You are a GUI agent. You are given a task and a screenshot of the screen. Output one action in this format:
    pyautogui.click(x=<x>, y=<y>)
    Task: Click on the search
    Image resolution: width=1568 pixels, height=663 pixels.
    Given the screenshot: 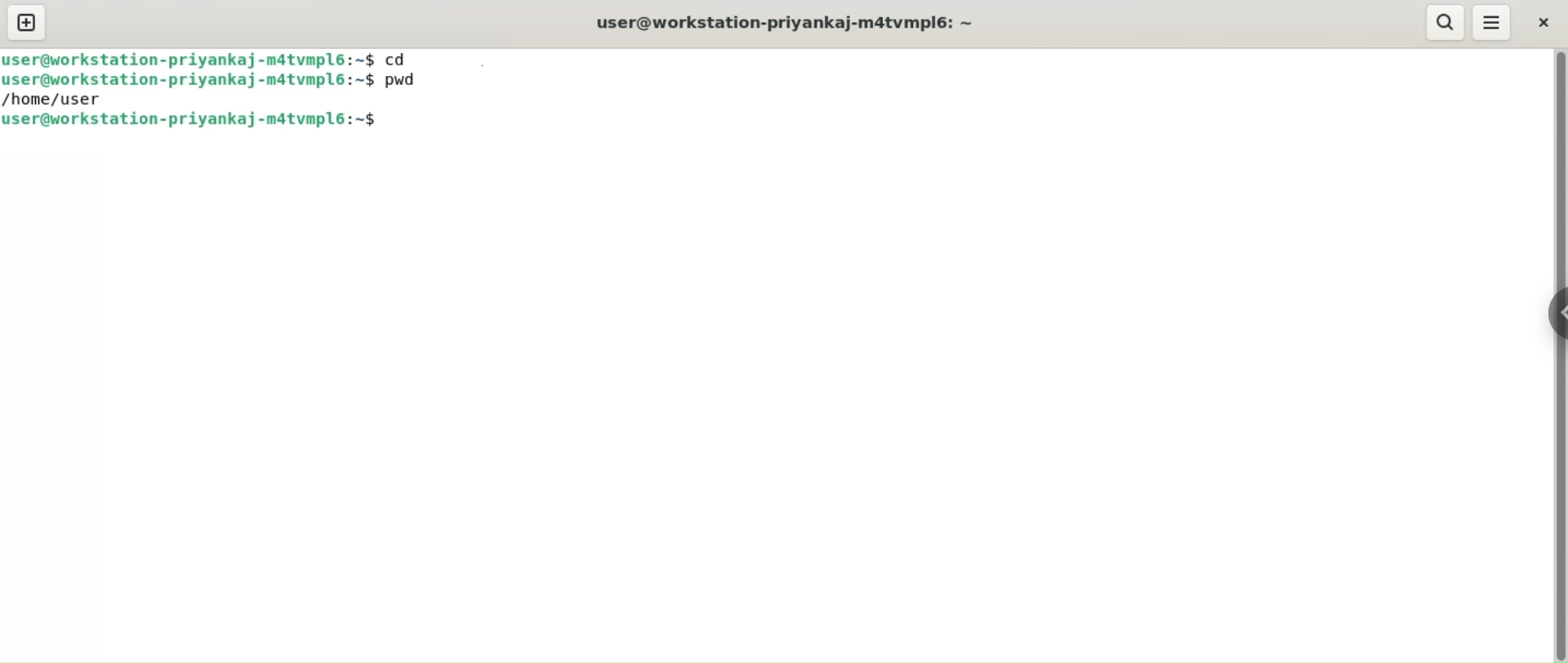 What is the action you would take?
    pyautogui.click(x=1446, y=23)
    